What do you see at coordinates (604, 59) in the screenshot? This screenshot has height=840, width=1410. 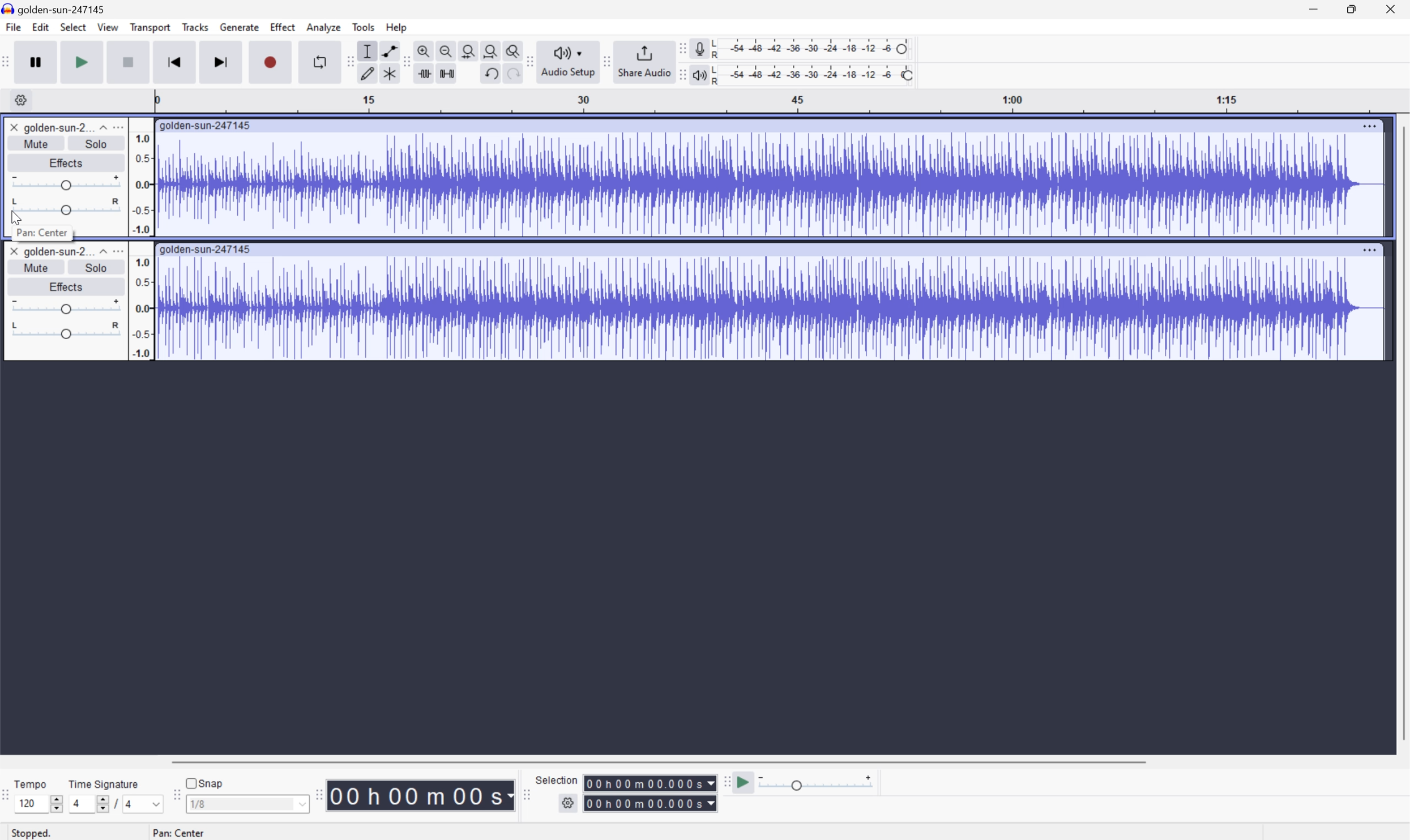 I see `Audacity Share audio toolbar` at bounding box center [604, 59].